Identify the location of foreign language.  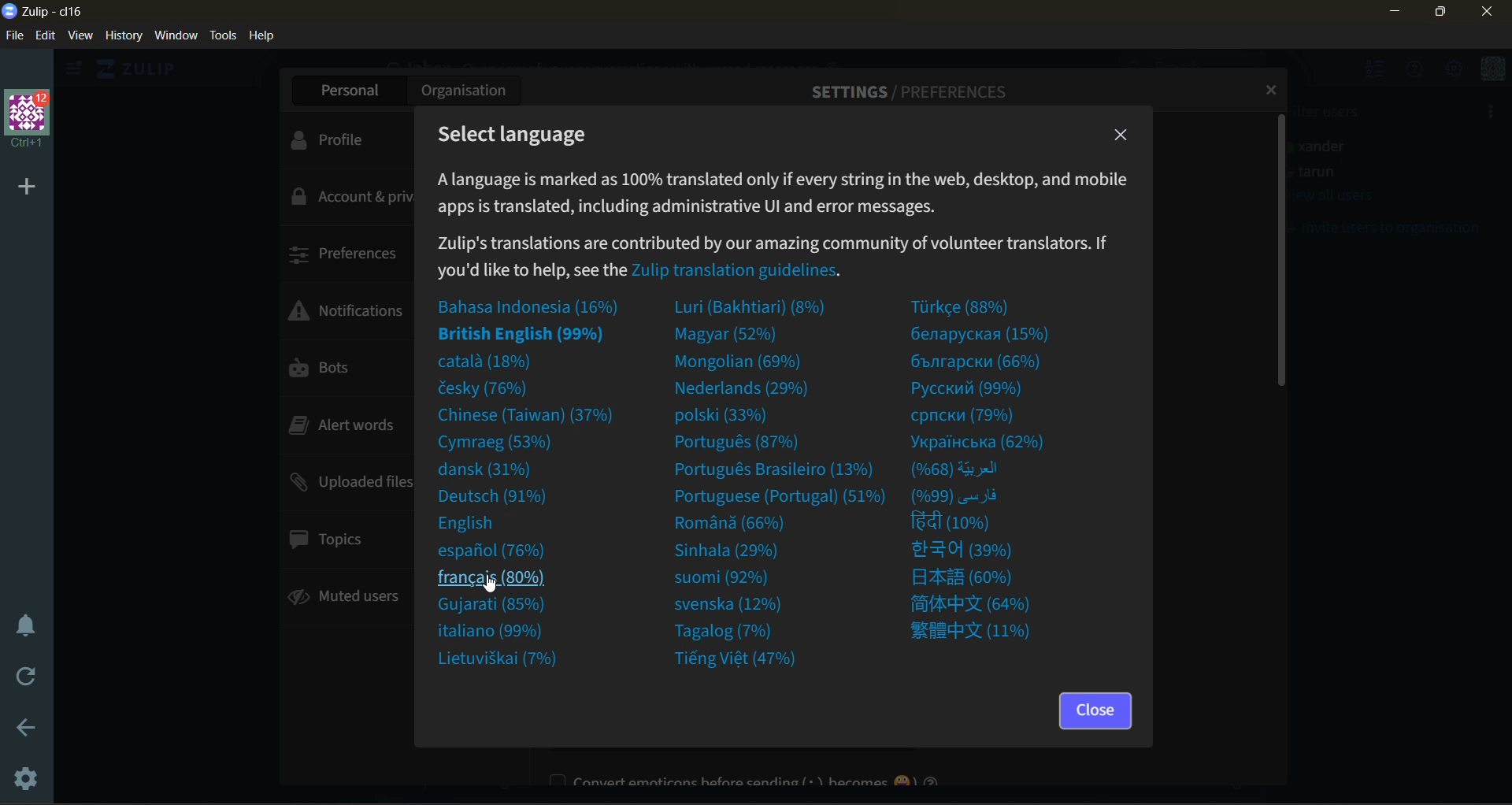
(967, 577).